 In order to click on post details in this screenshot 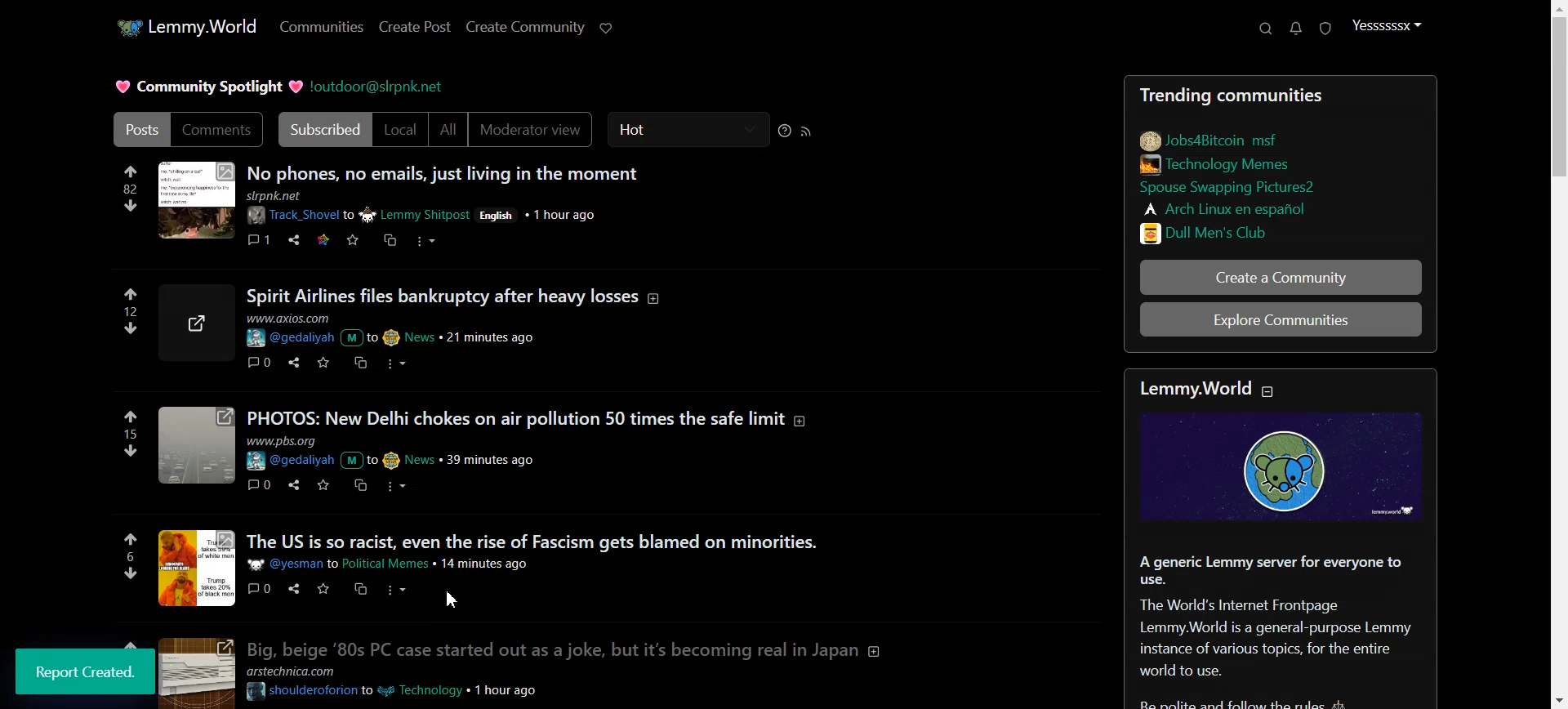, I will do `click(397, 330)`.